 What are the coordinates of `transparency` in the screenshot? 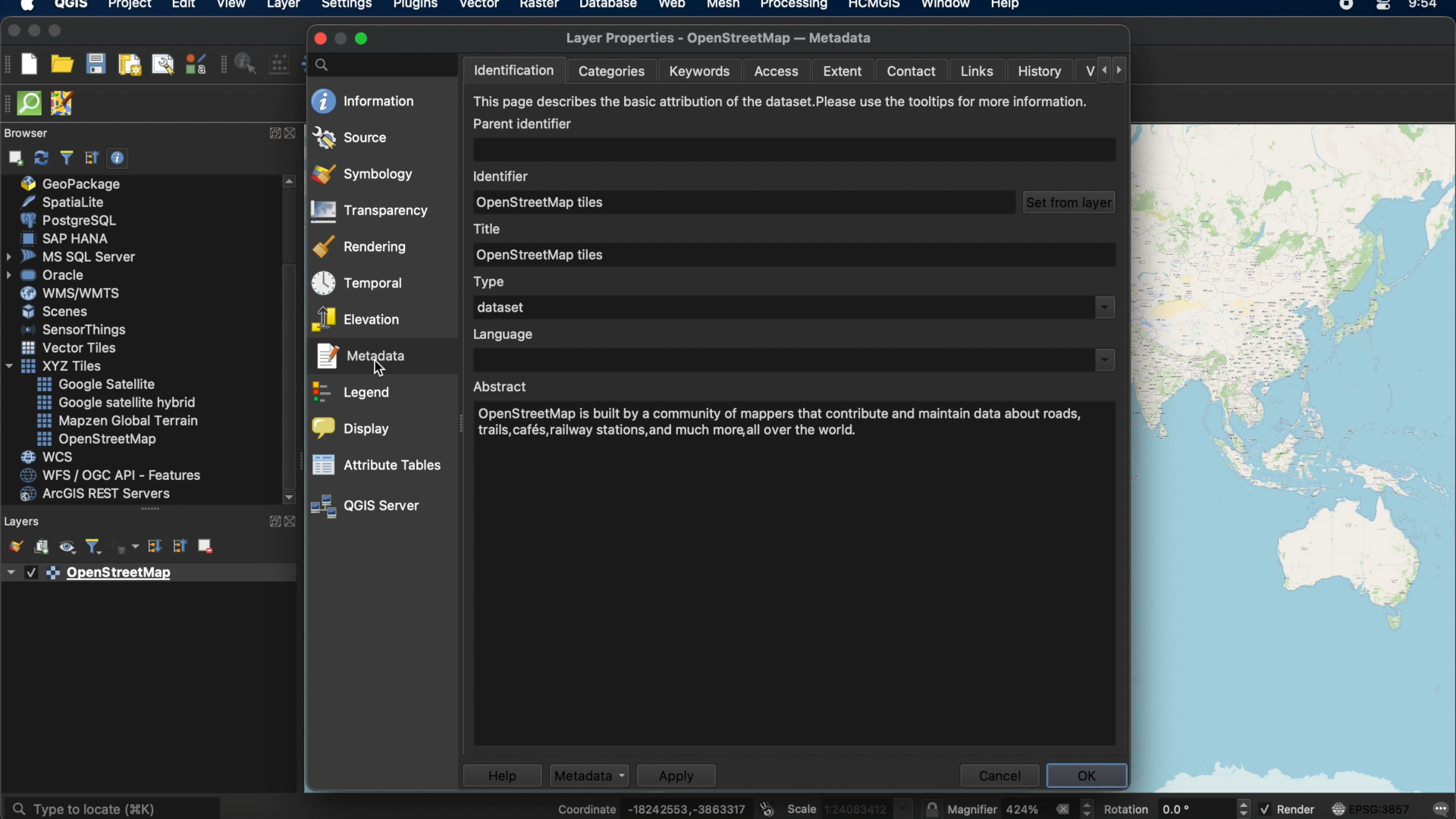 It's located at (372, 212).